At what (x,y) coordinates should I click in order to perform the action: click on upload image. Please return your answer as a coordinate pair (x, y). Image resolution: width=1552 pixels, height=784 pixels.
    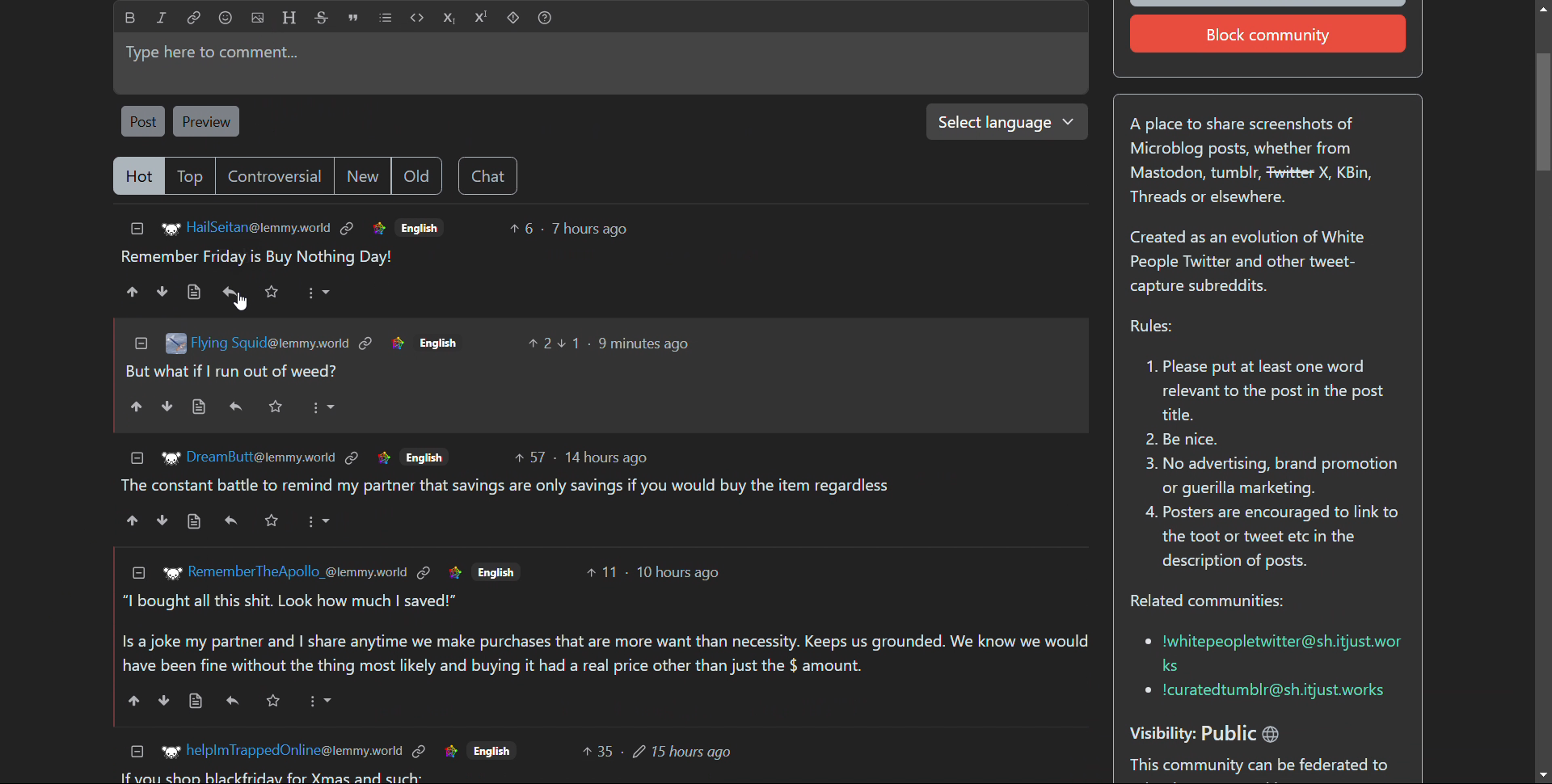
    Looking at the image, I should click on (258, 18).